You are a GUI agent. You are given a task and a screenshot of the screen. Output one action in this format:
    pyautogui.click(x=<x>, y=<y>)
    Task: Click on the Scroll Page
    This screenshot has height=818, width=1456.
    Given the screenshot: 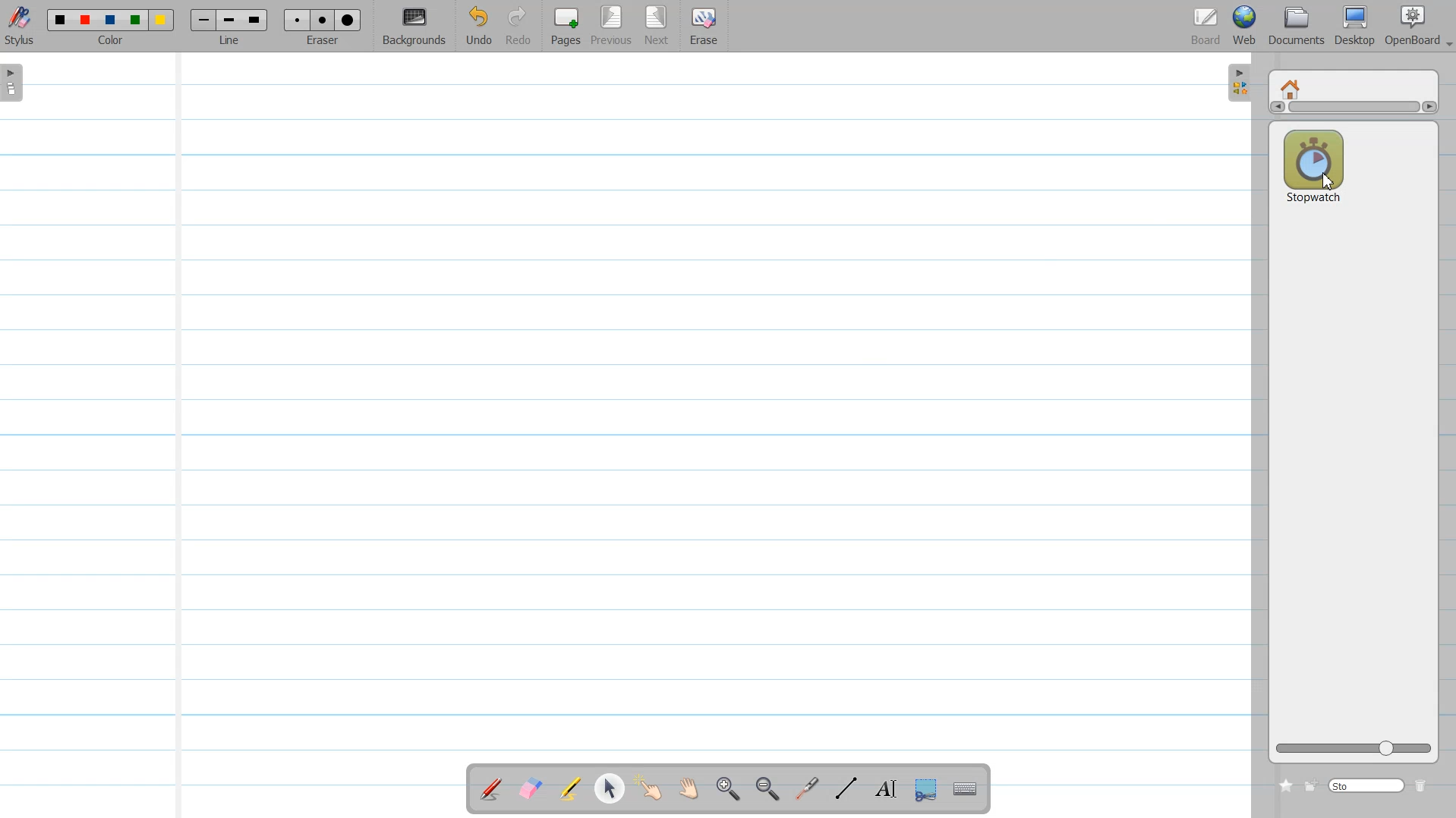 What is the action you would take?
    pyautogui.click(x=689, y=789)
    